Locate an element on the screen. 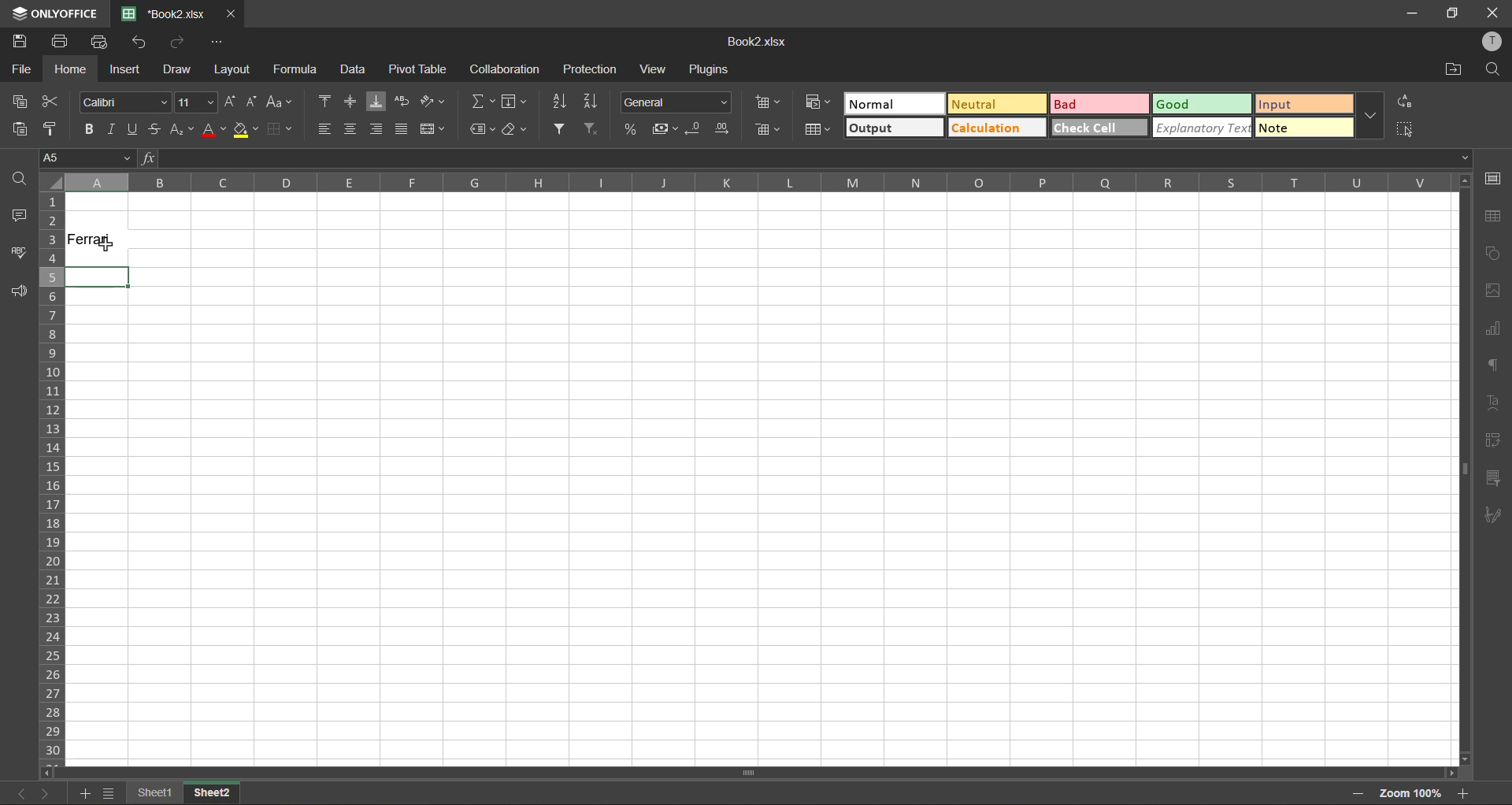 The height and width of the screenshot is (805, 1512). font size is located at coordinates (195, 100).